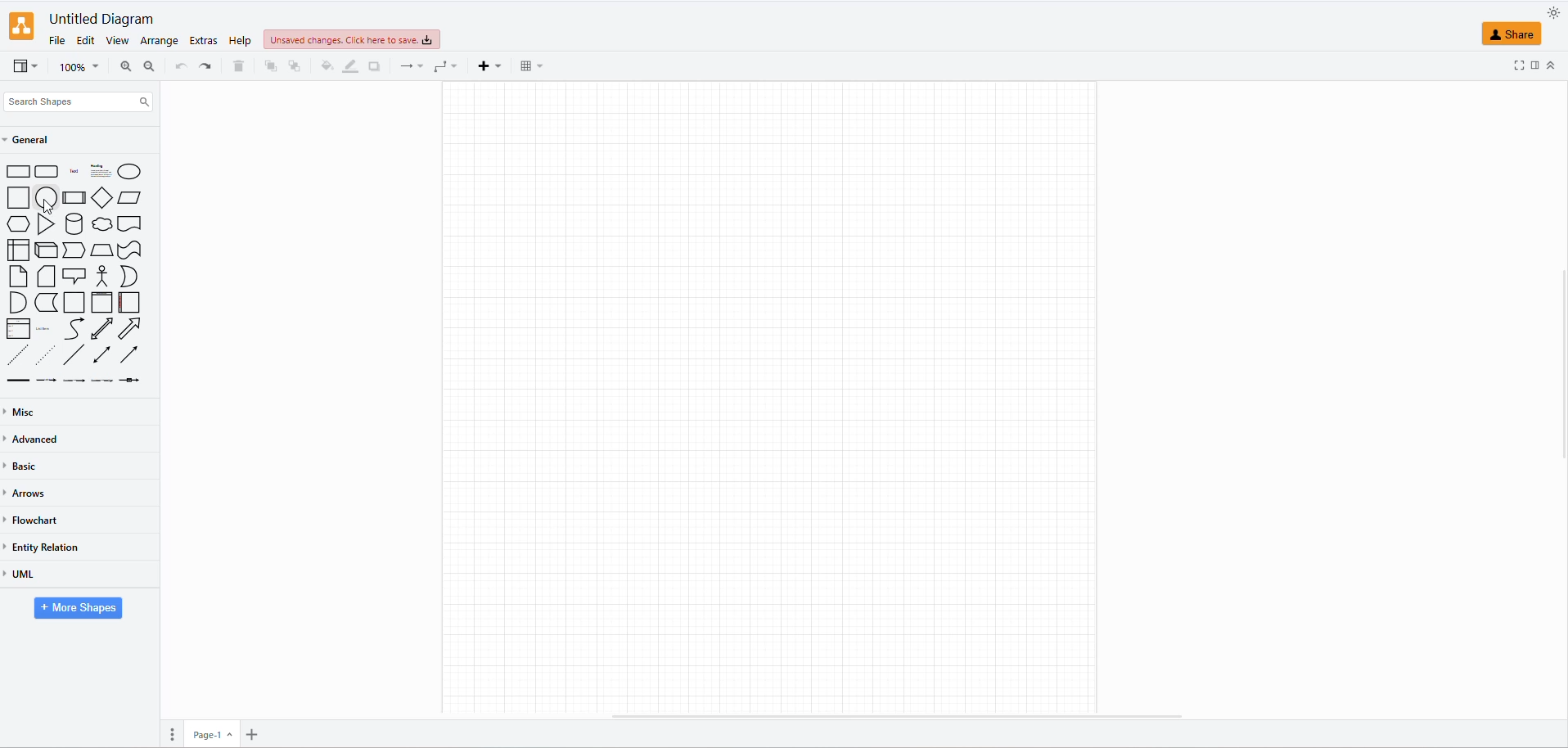 The height and width of the screenshot is (748, 1568). I want to click on ARRANGE, so click(158, 43).